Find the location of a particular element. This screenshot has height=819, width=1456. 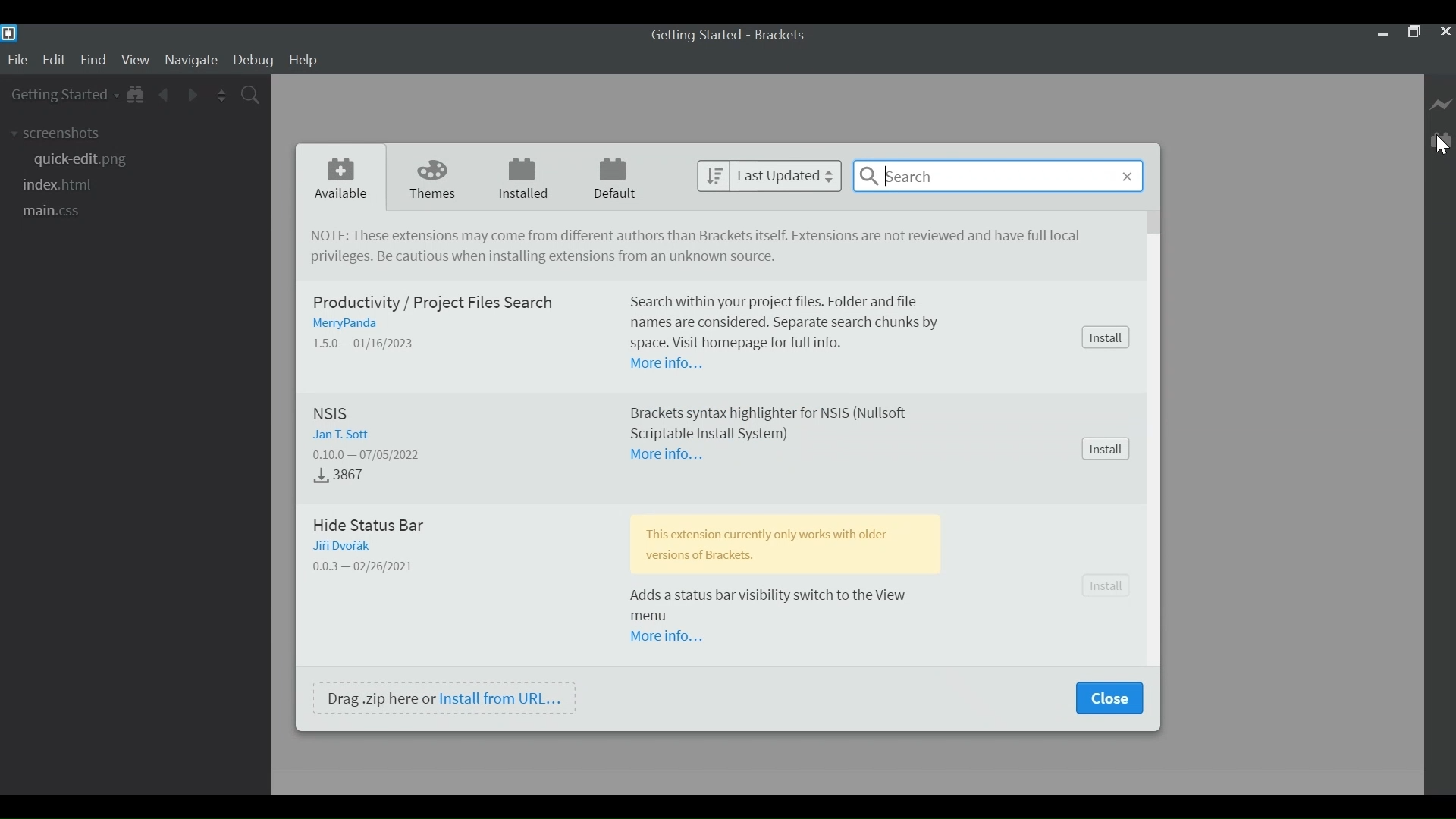

More Information is located at coordinates (670, 457).